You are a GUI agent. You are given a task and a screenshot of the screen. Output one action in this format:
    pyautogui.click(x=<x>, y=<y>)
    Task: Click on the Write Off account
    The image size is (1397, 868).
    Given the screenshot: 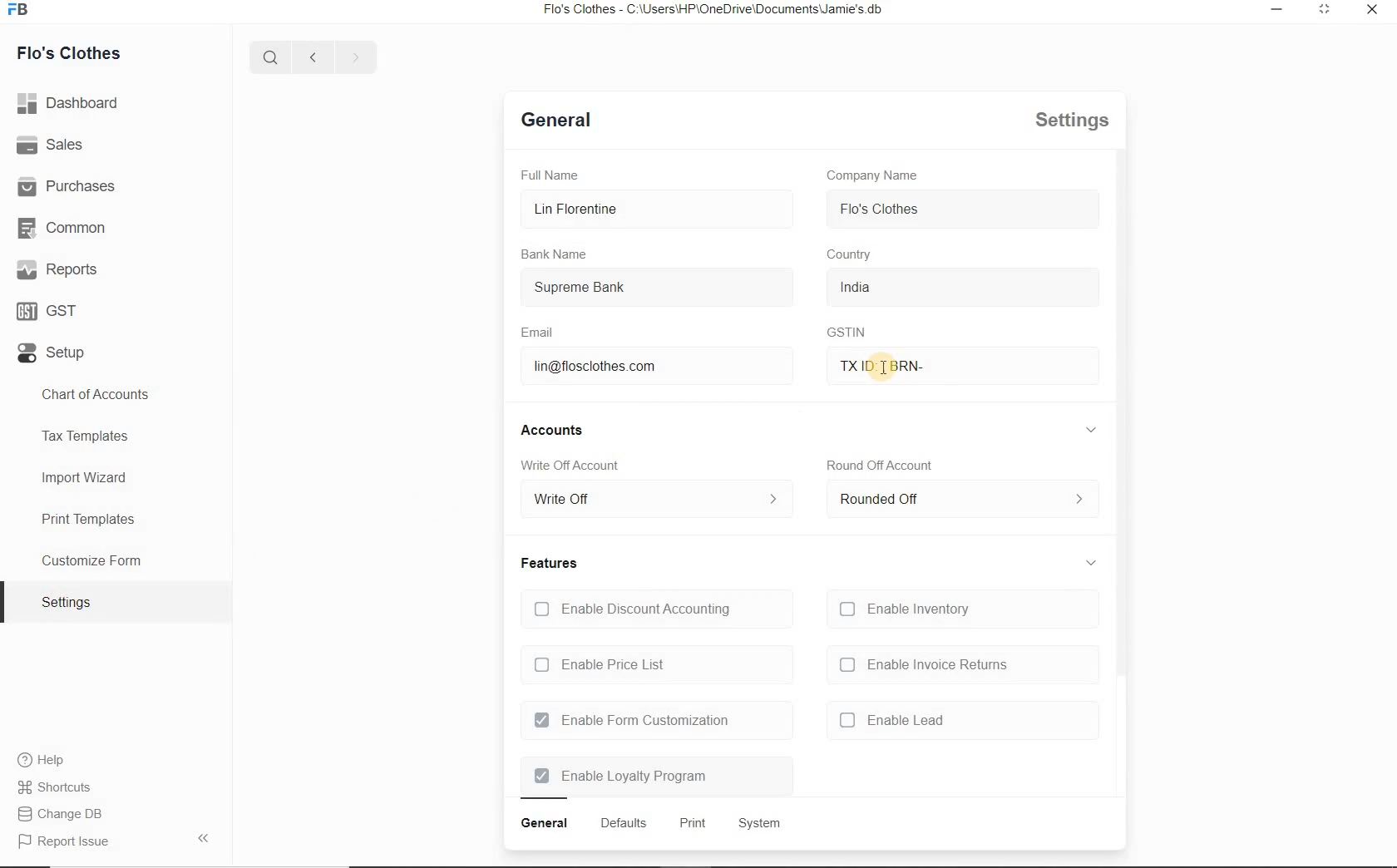 What is the action you would take?
    pyautogui.click(x=575, y=467)
    